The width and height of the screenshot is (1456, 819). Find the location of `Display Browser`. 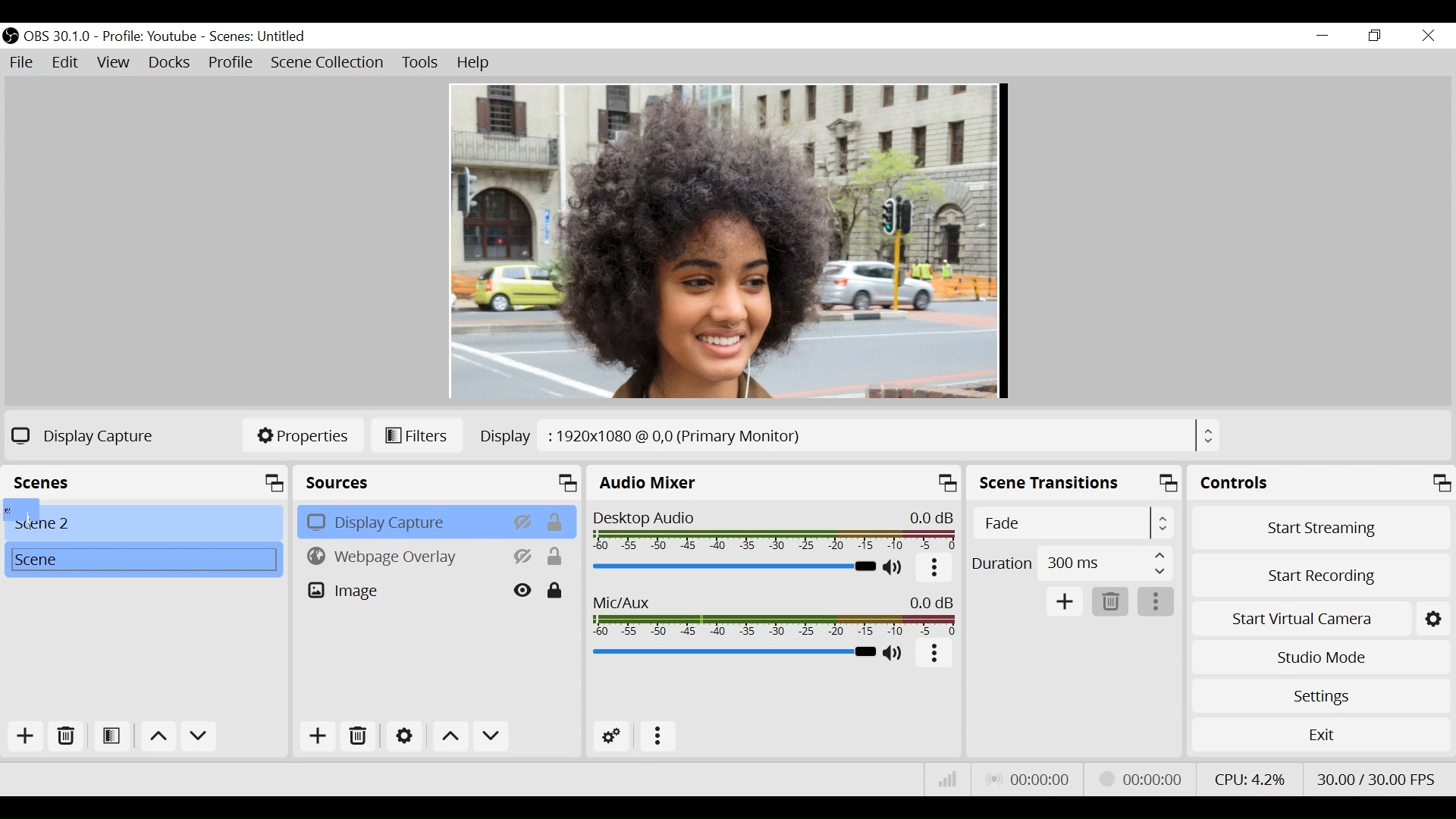

Display Browser is located at coordinates (849, 435).